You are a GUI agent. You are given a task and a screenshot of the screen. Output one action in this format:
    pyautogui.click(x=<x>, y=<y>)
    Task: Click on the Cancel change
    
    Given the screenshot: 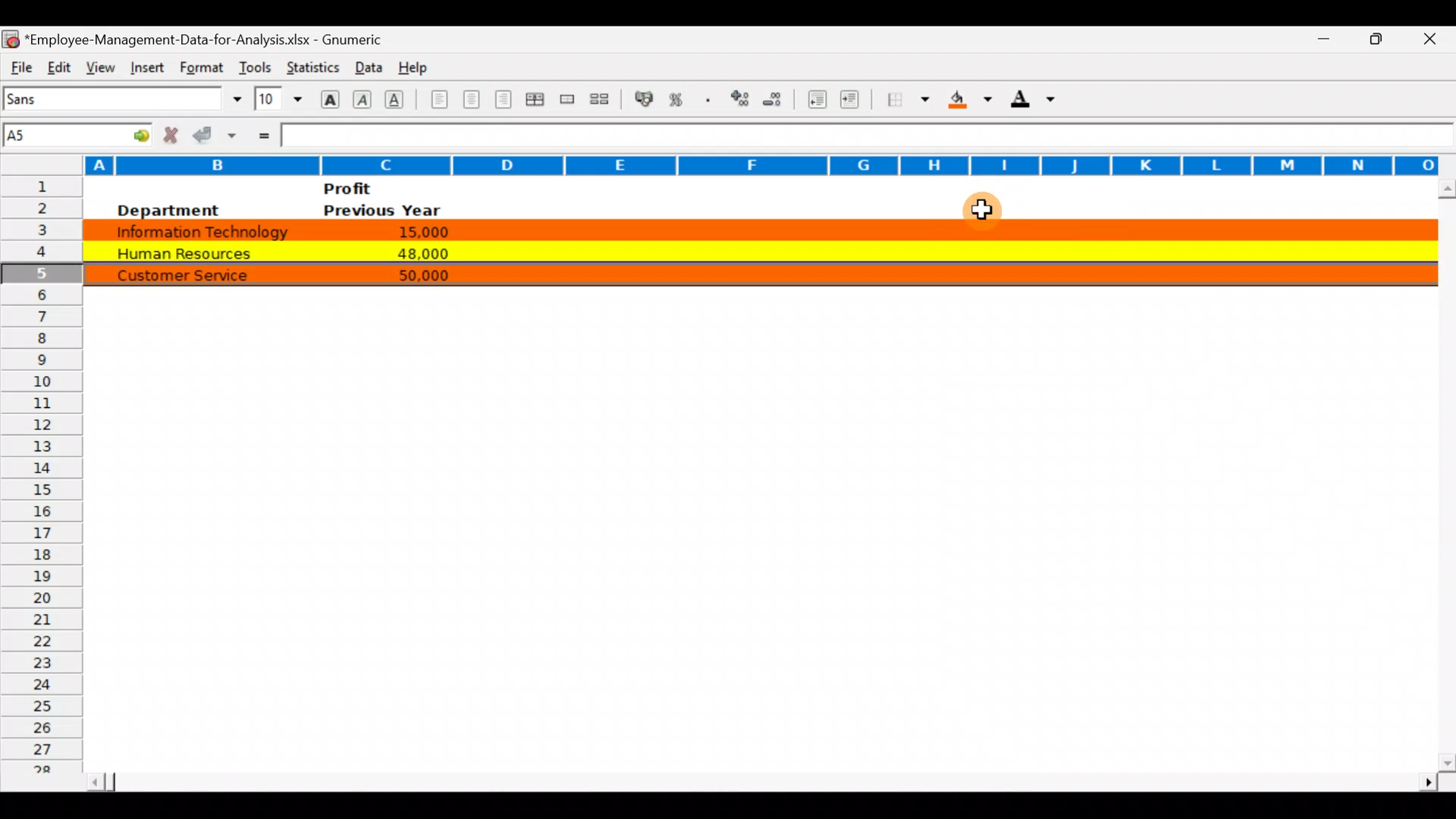 What is the action you would take?
    pyautogui.click(x=174, y=134)
    